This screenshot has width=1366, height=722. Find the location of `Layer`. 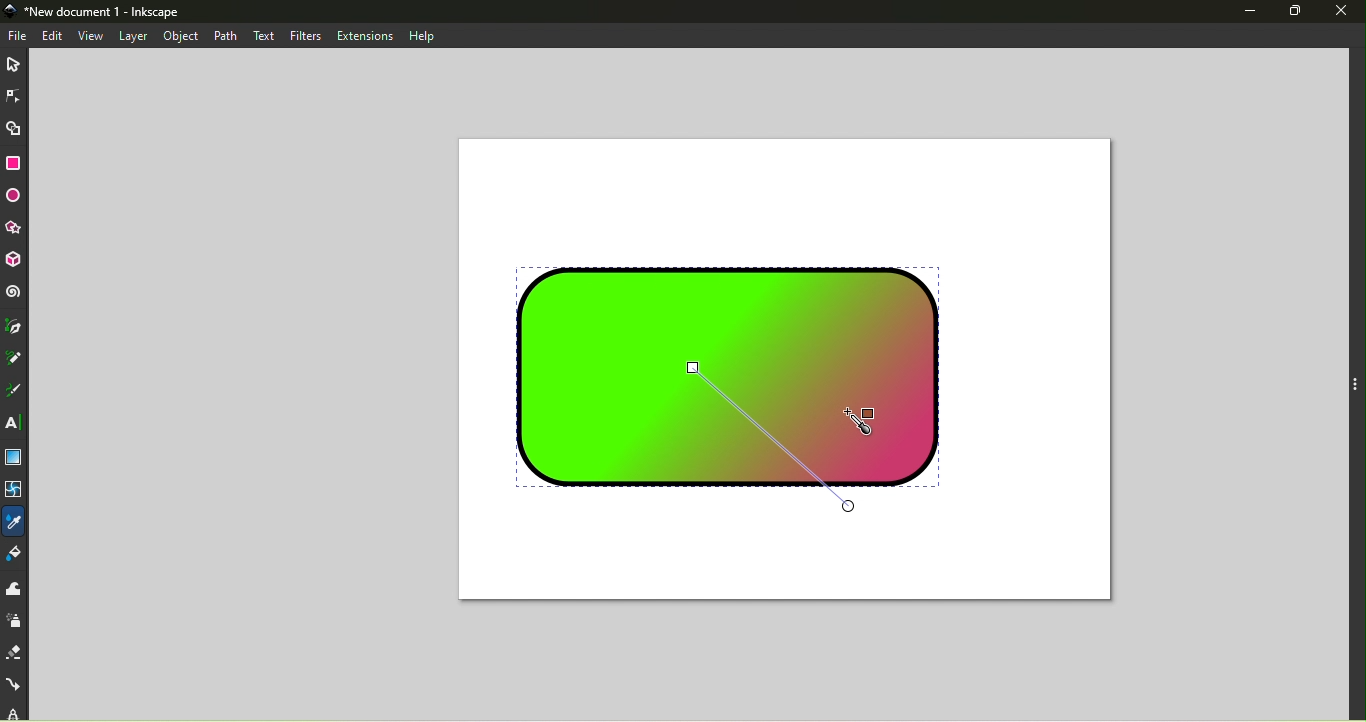

Layer is located at coordinates (134, 37).